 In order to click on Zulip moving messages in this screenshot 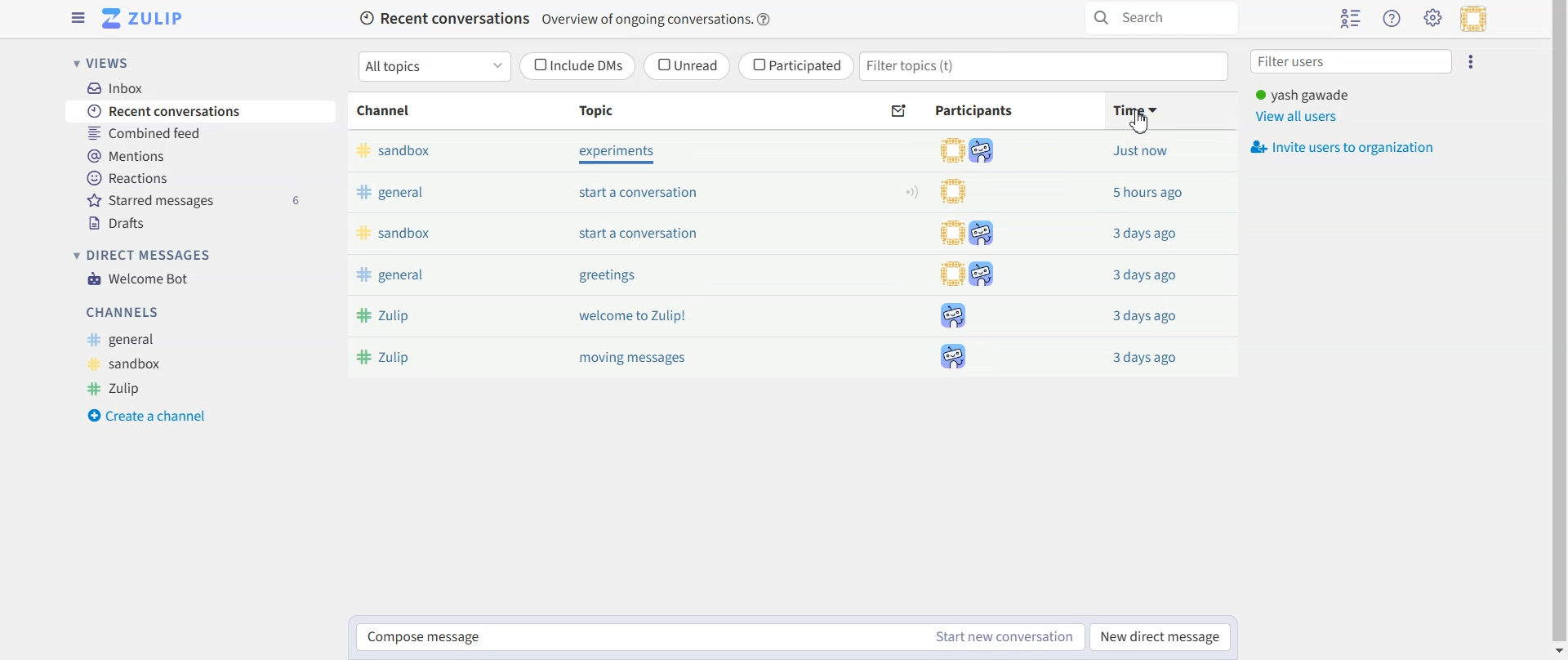, I will do `click(576, 356)`.